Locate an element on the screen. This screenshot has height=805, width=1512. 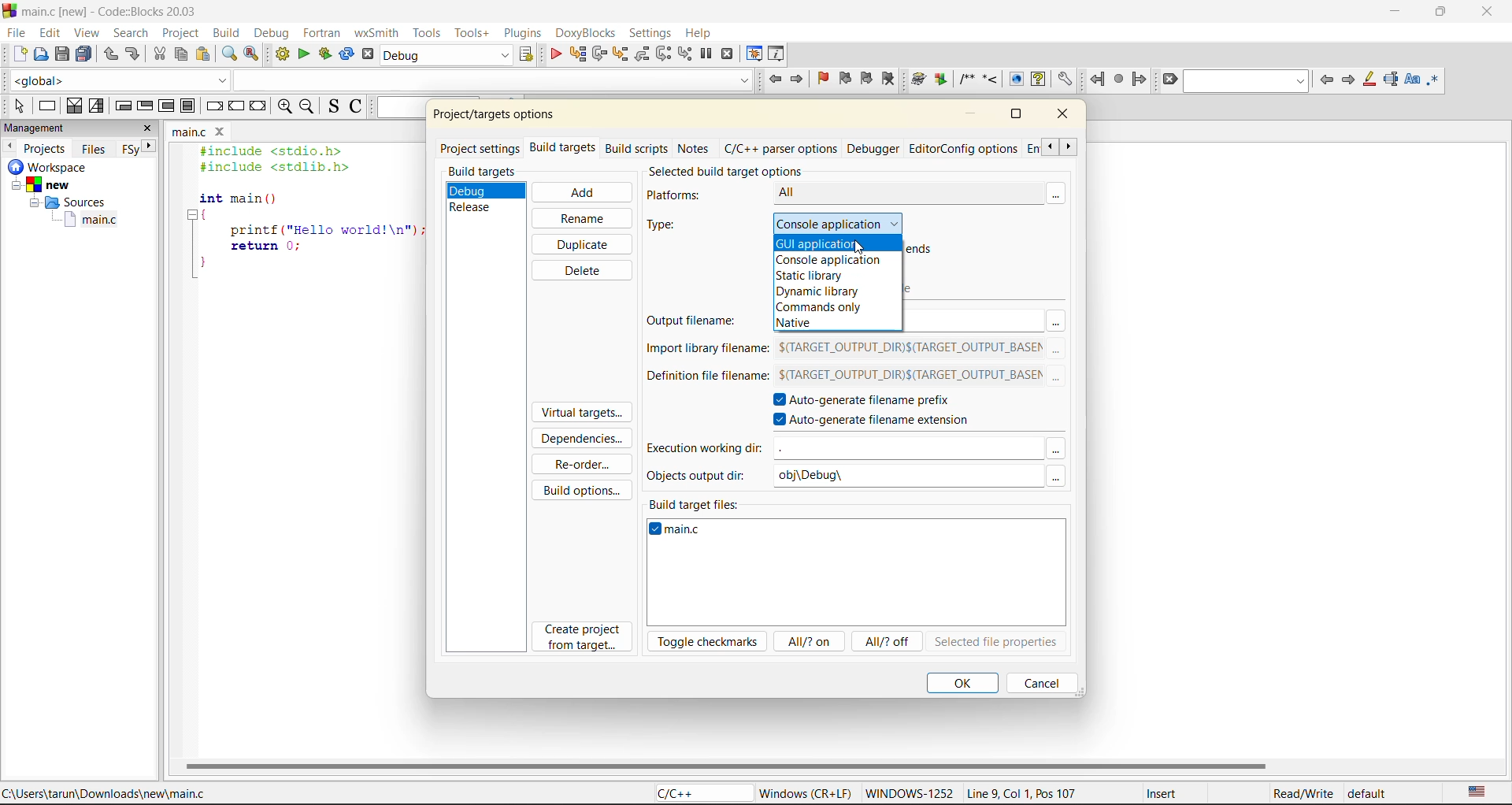
help is located at coordinates (702, 34).